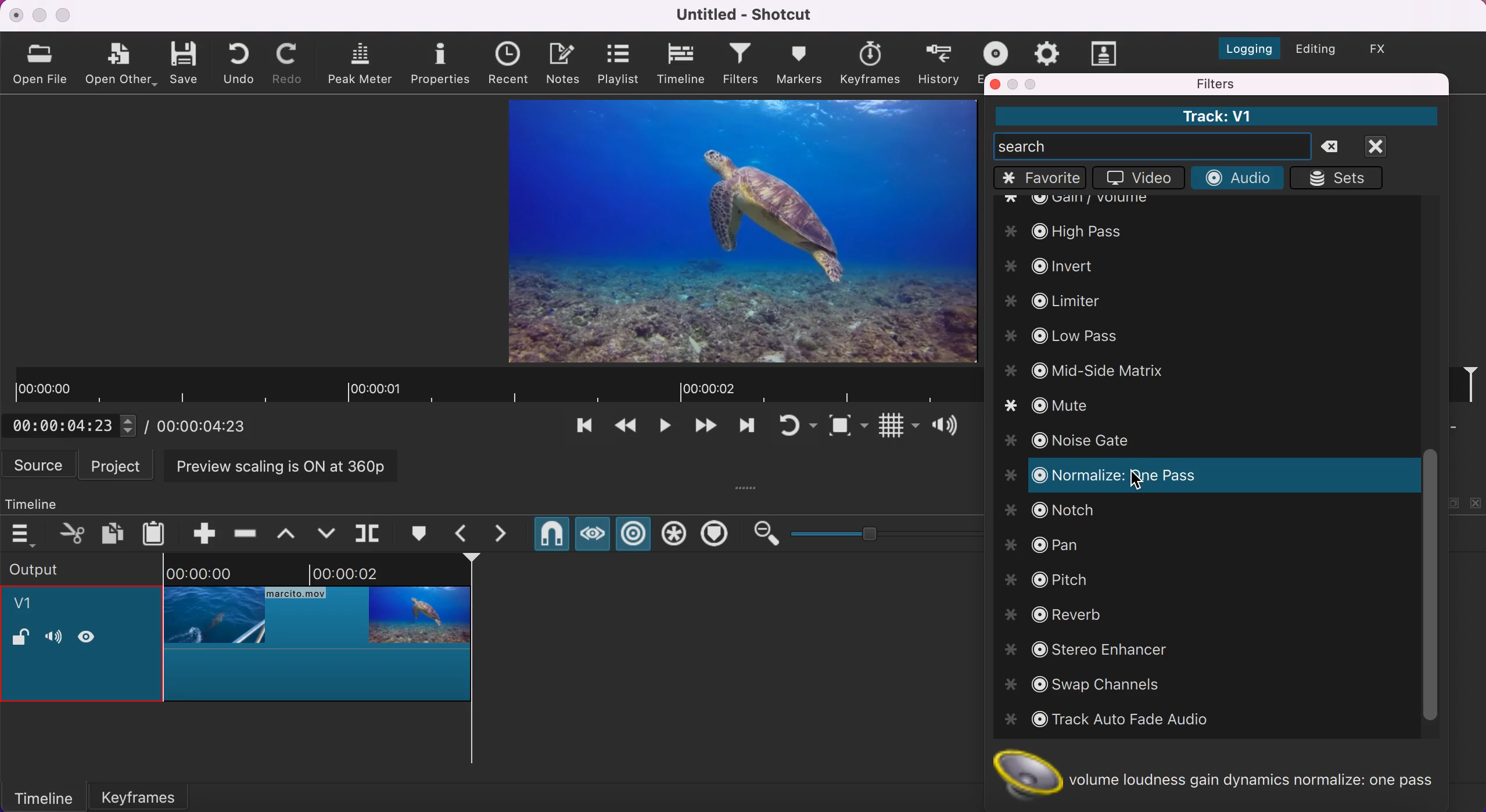 The width and height of the screenshot is (1486, 812). I want to click on previous marker, so click(465, 533).